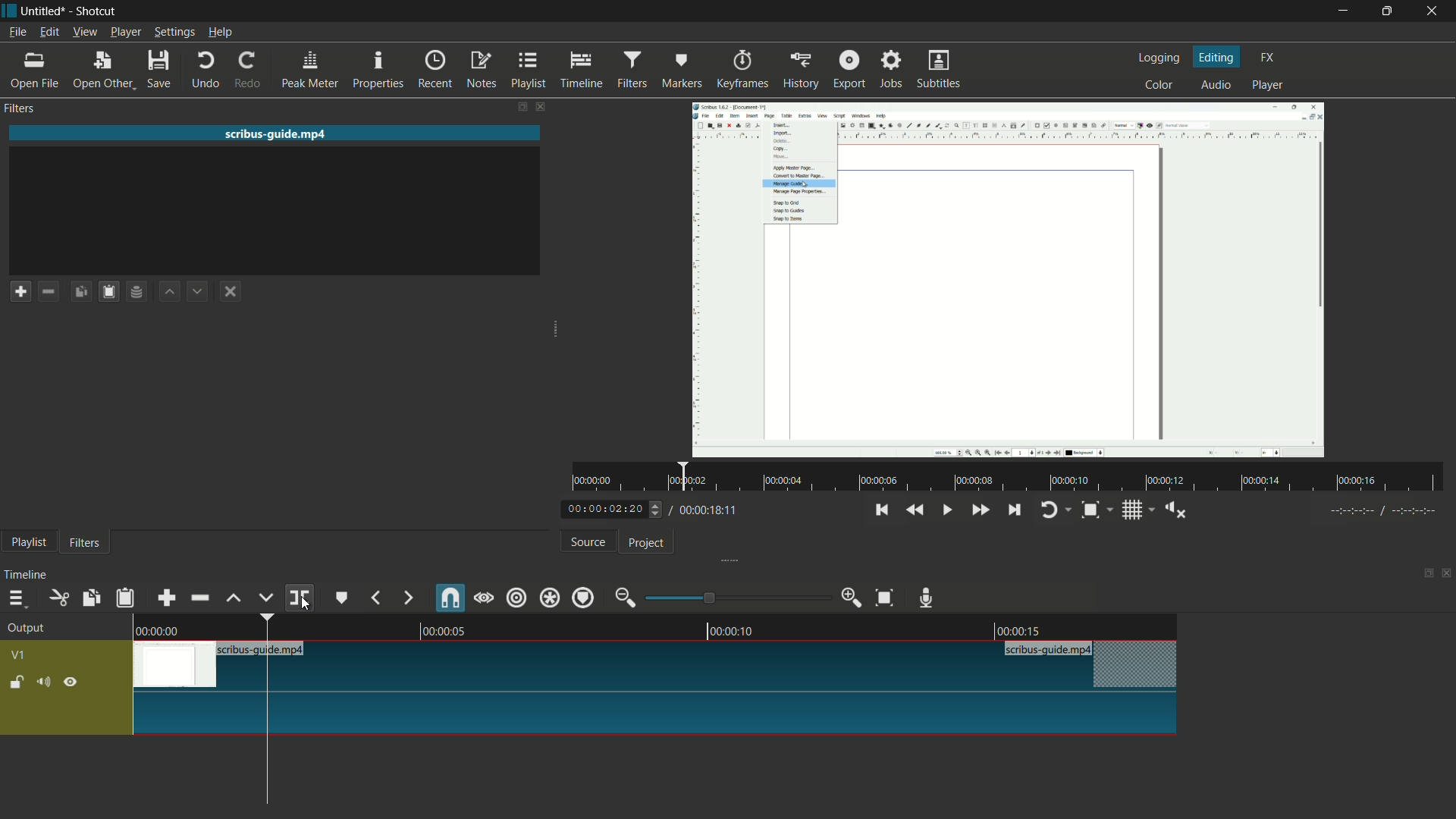 The height and width of the screenshot is (819, 1456). Describe the element at coordinates (166, 598) in the screenshot. I see `append` at that location.